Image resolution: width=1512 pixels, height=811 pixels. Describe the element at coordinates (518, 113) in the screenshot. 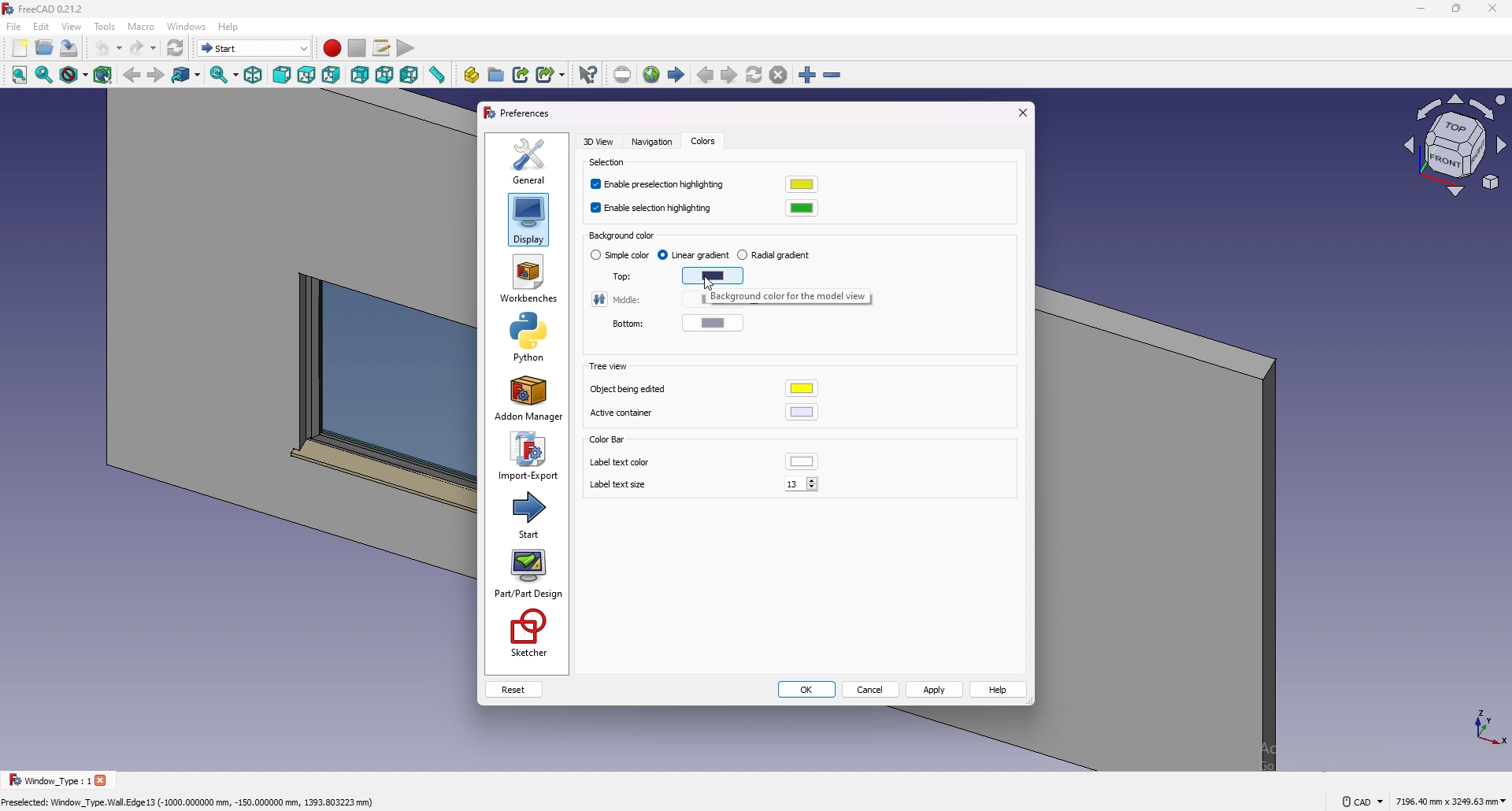

I see `preferences` at that location.